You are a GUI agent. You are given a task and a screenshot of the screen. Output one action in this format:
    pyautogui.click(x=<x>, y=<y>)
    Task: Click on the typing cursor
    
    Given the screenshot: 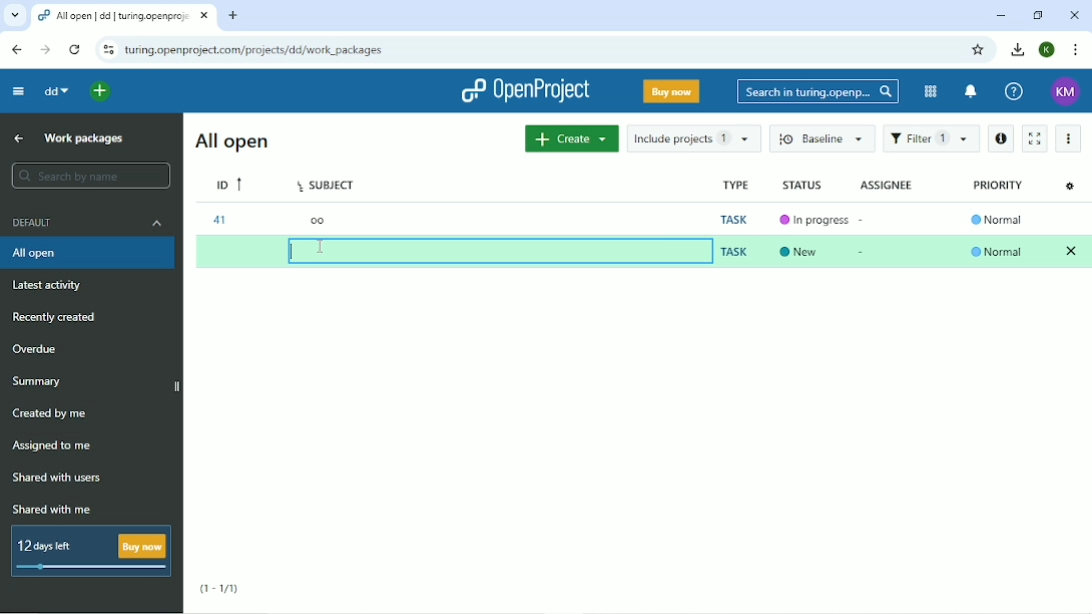 What is the action you would take?
    pyautogui.click(x=287, y=248)
    